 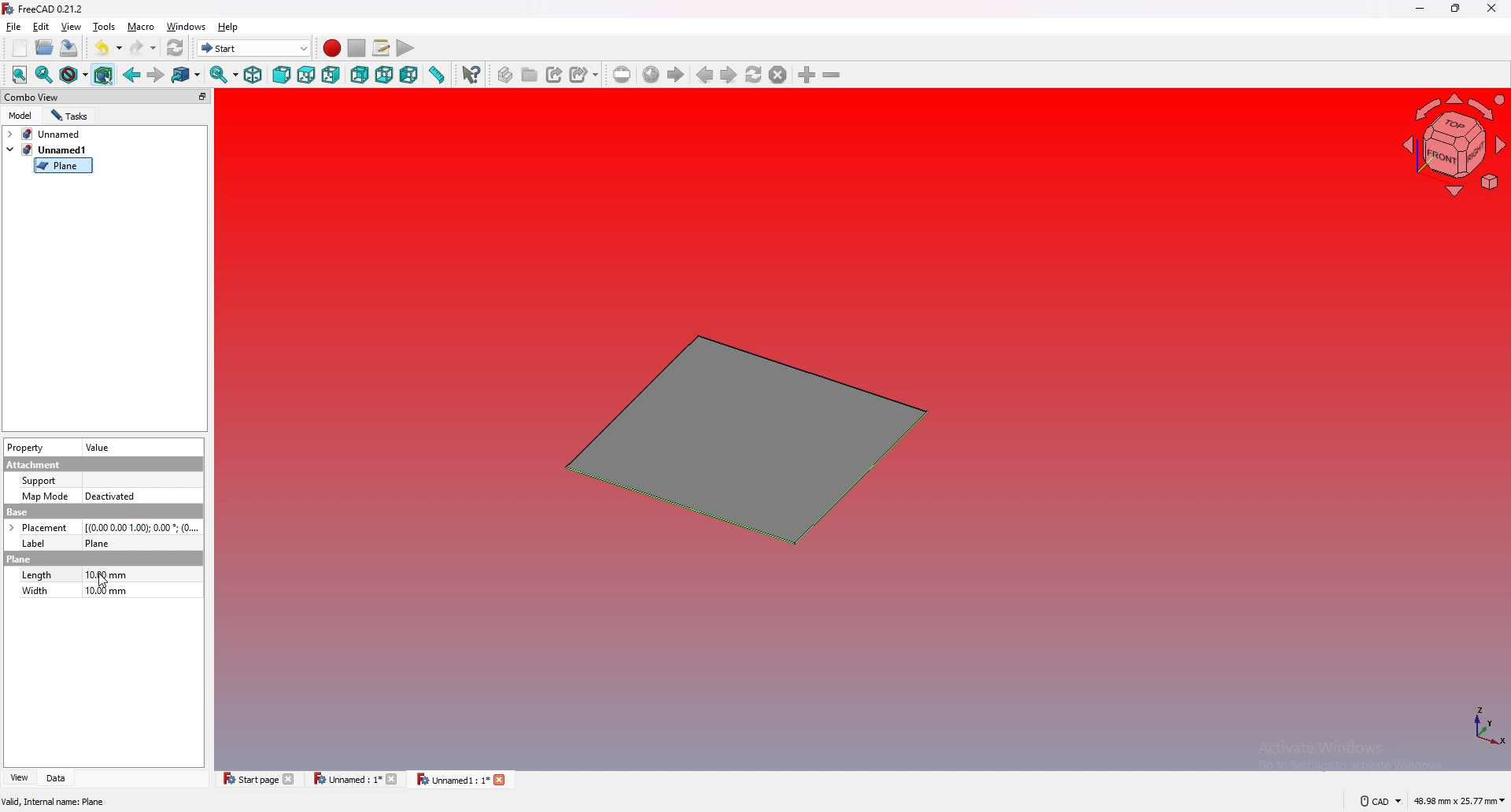 I want to click on new, so click(x=20, y=48).